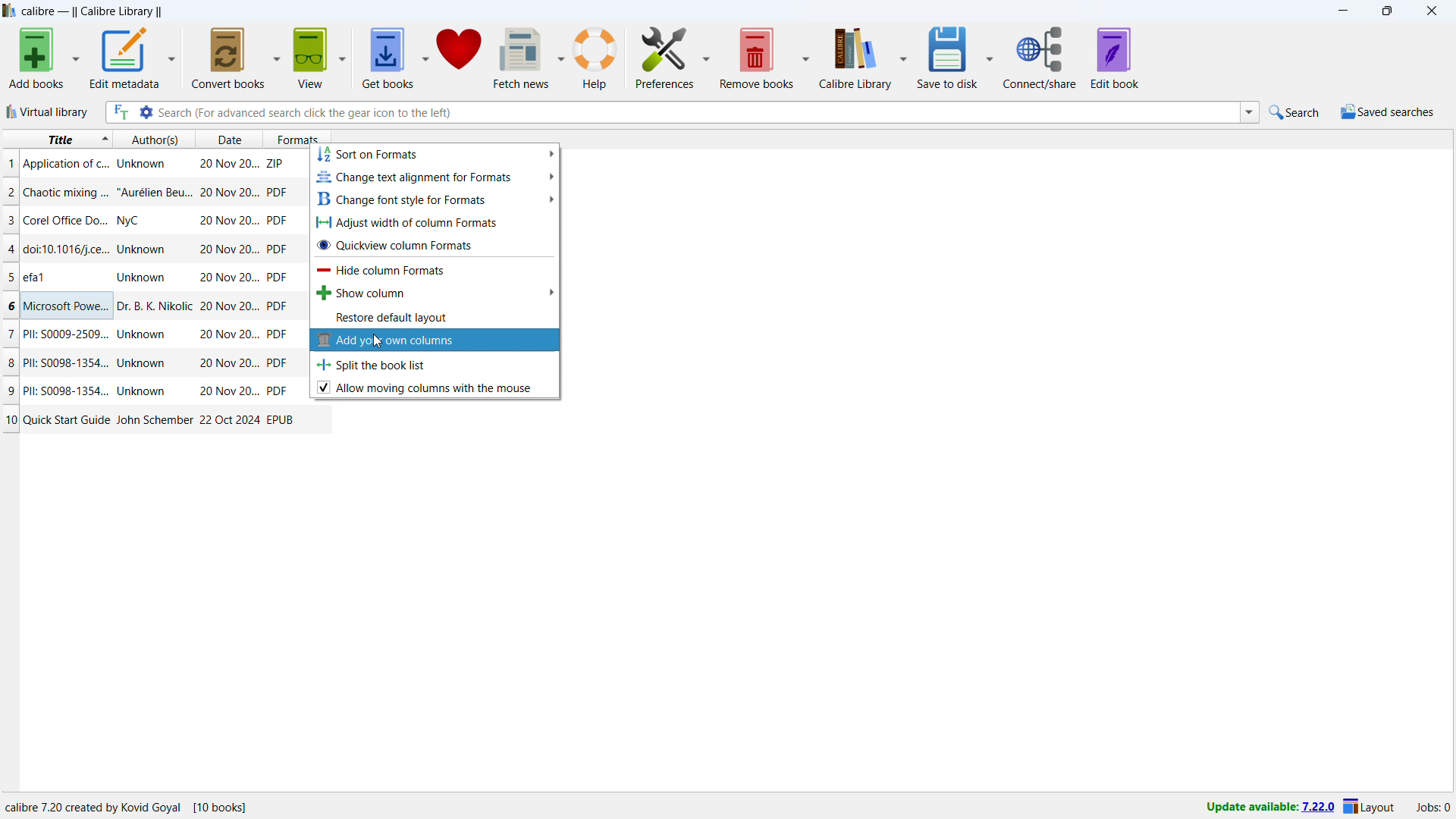  What do you see at coordinates (698, 111) in the screenshot?
I see `enter search string` at bounding box center [698, 111].